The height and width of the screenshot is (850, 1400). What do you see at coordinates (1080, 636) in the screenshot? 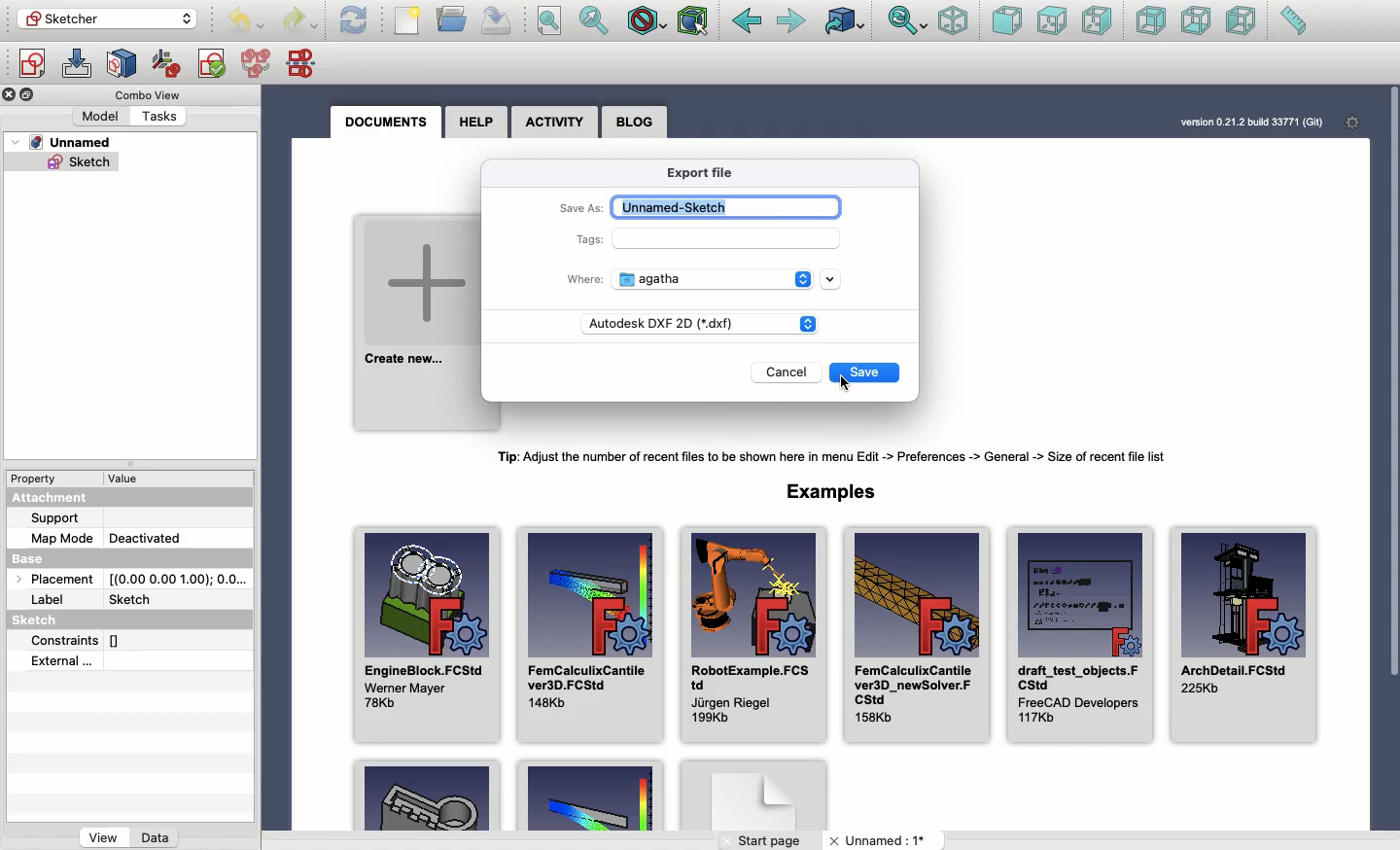
I see `draft_test_objects.FCStd FreeCAD Developers 117Kb` at bounding box center [1080, 636].